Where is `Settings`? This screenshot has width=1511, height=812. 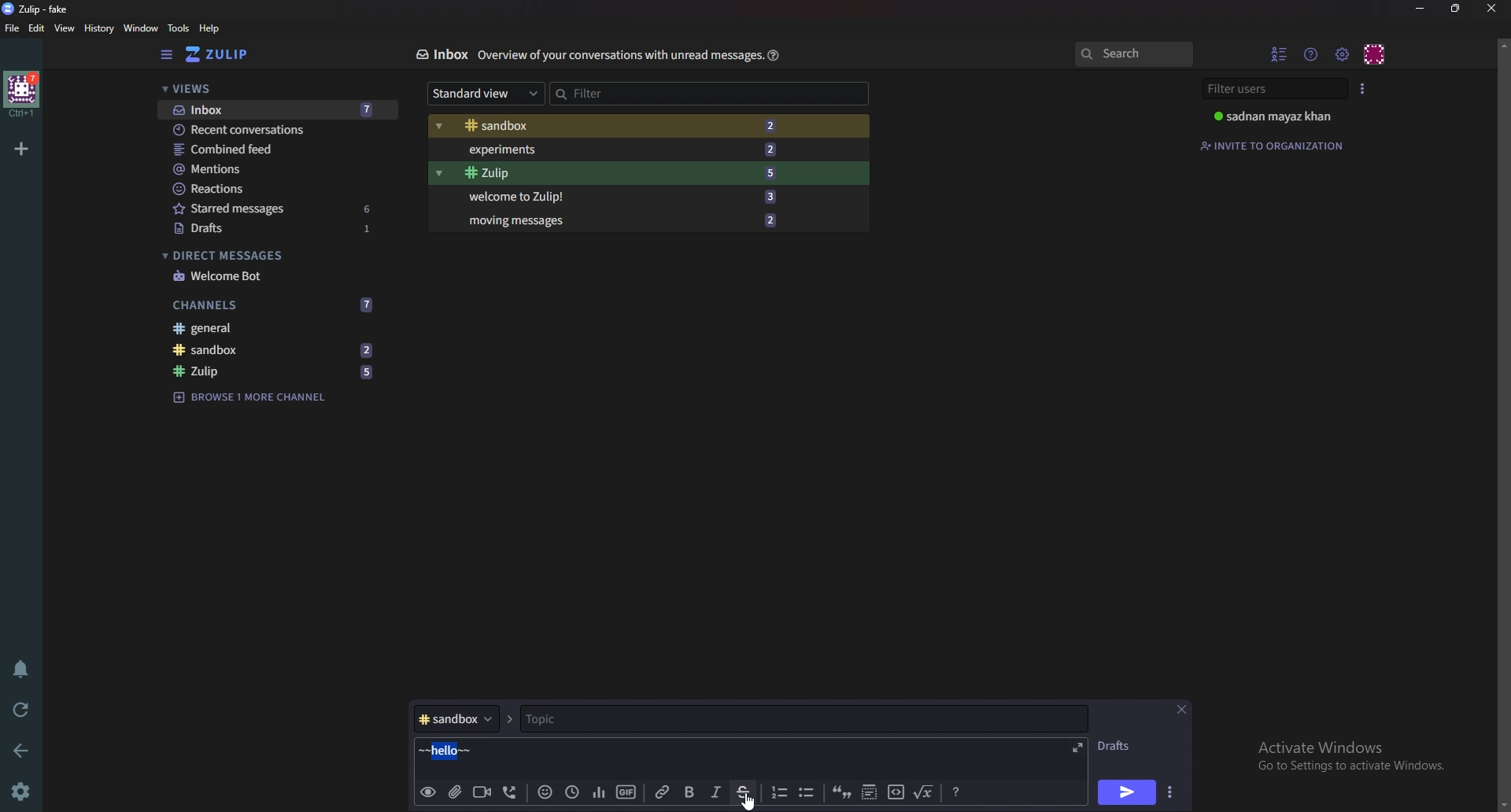
Settings is located at coordinates (24, 788).